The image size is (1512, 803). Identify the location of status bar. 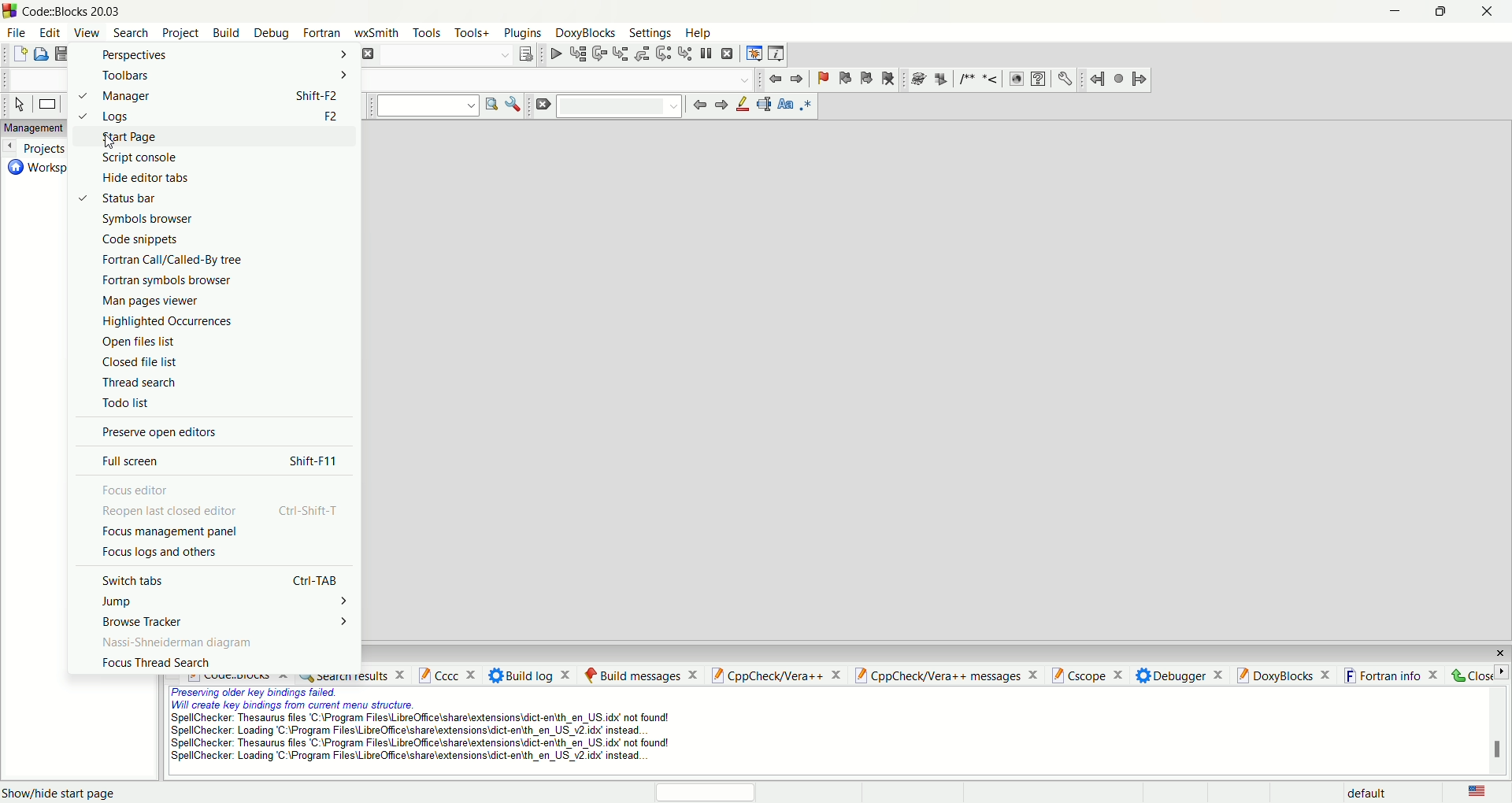
(121, 201).